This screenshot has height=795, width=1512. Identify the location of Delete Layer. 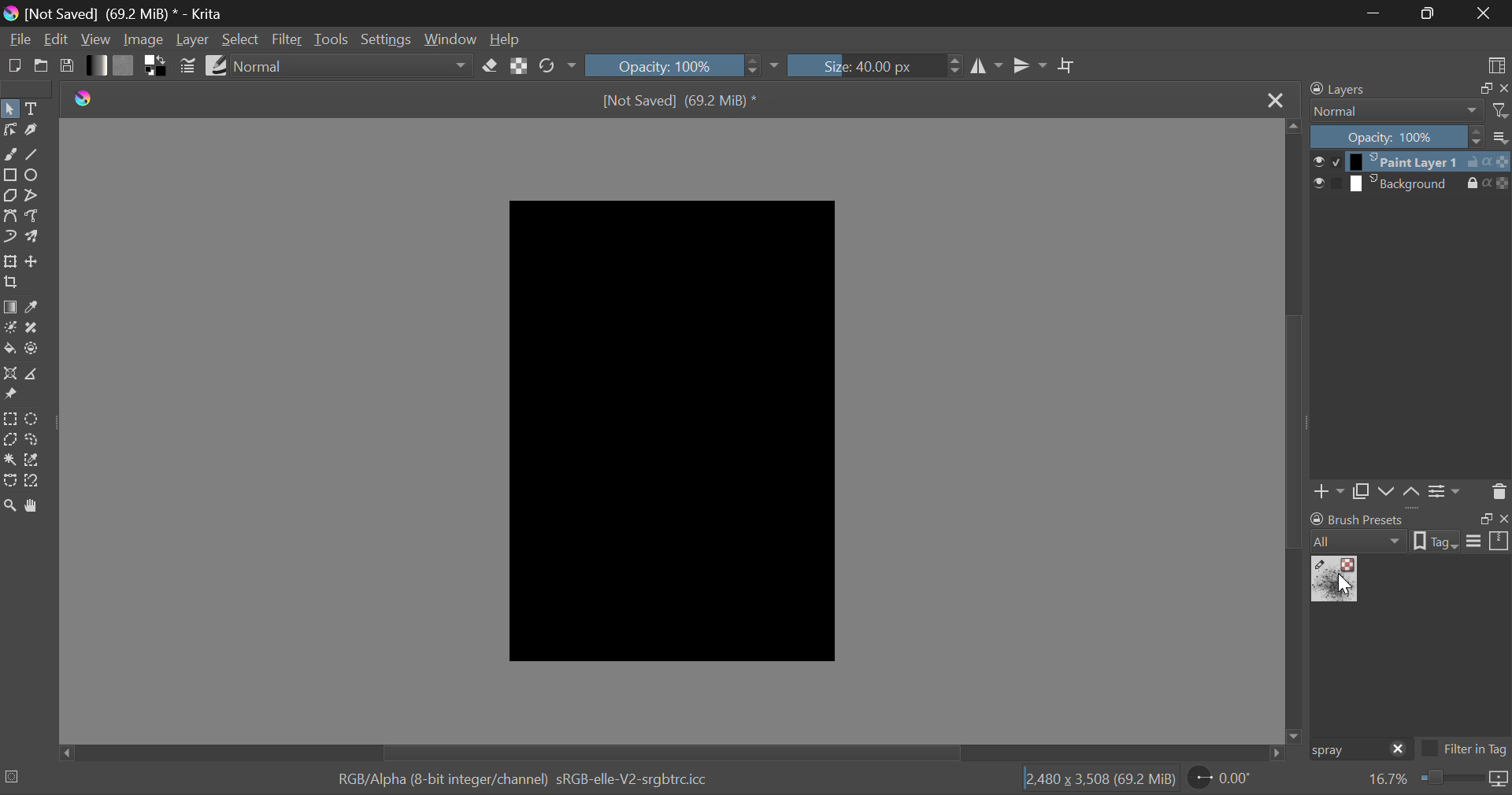
(1497, 490).